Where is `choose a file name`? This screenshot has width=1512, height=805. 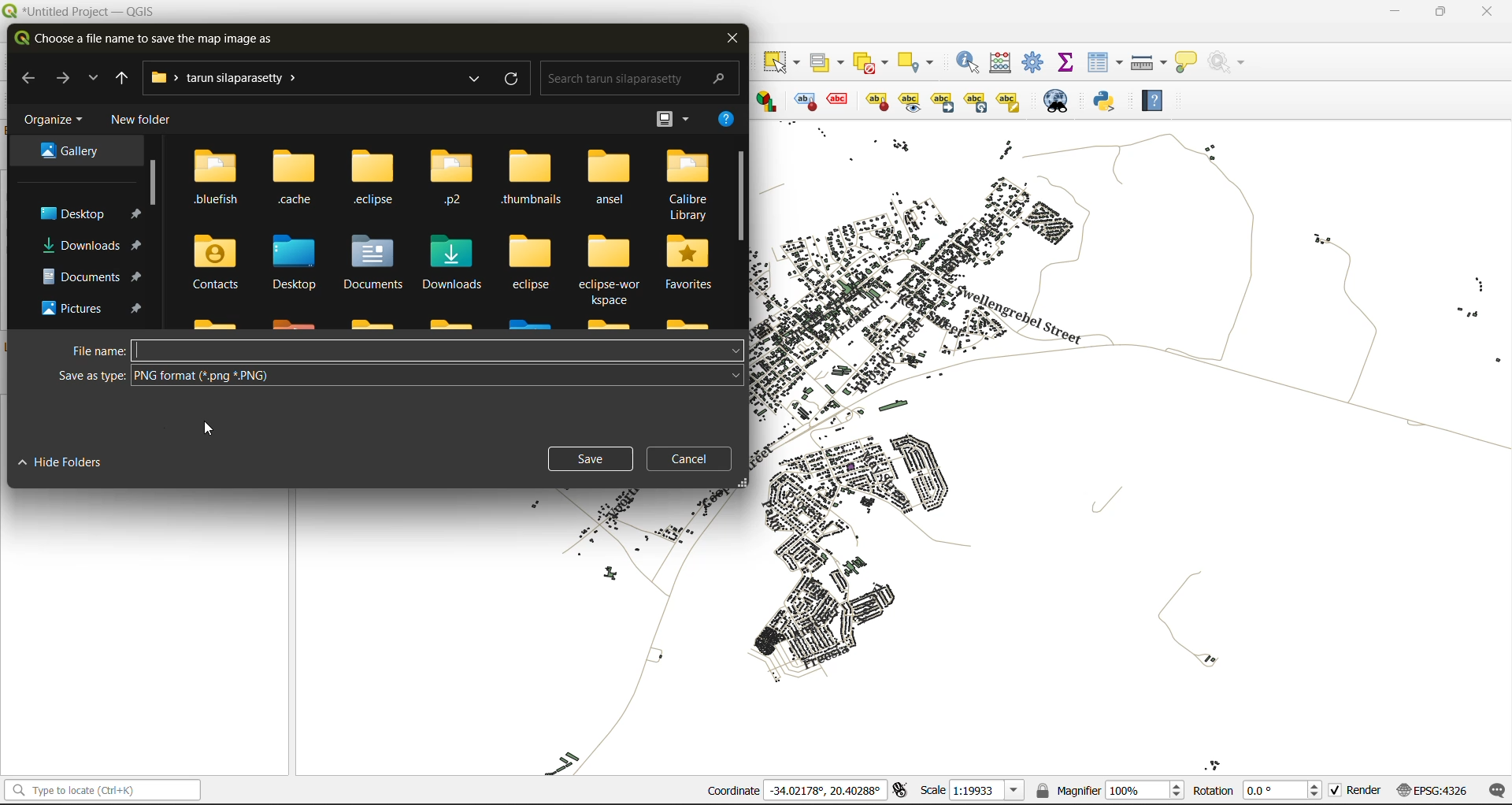
choose a file name is located at coordinates (147, 40).